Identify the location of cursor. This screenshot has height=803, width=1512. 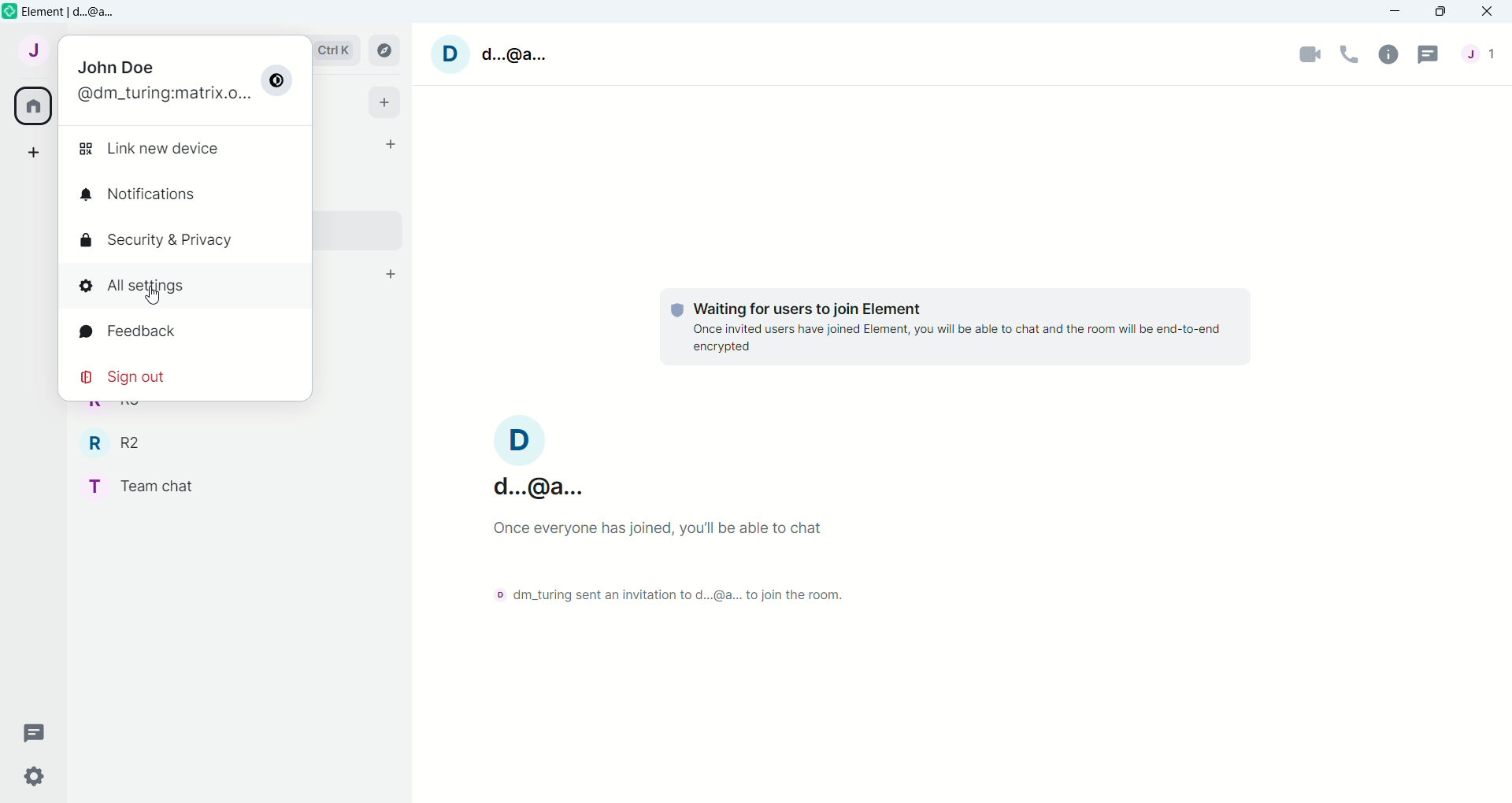
(157, 293).